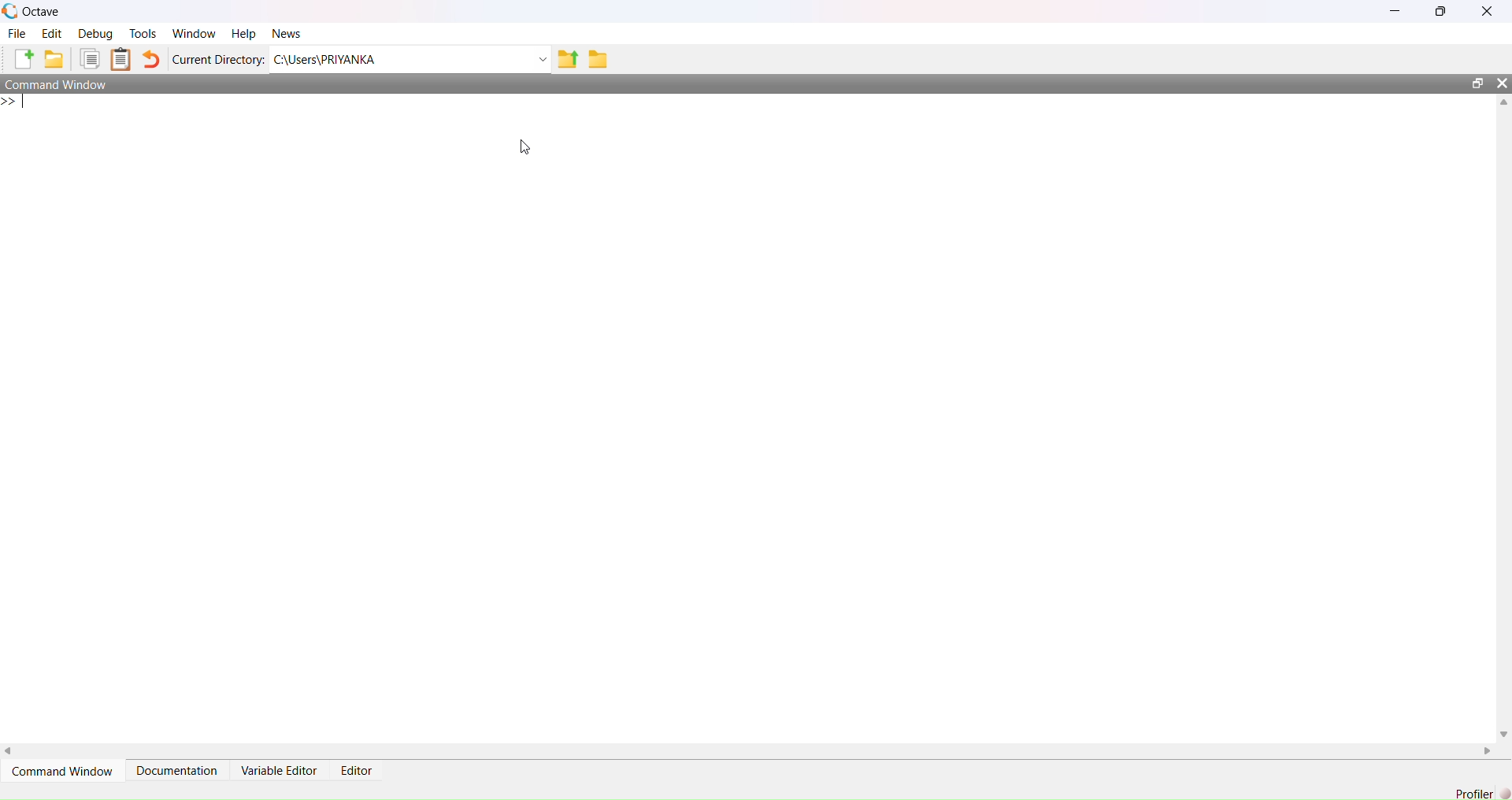  What do you see at coordinates (152, 58) in the screenshot?
I see `Undo` at bounding box center [152, 58].